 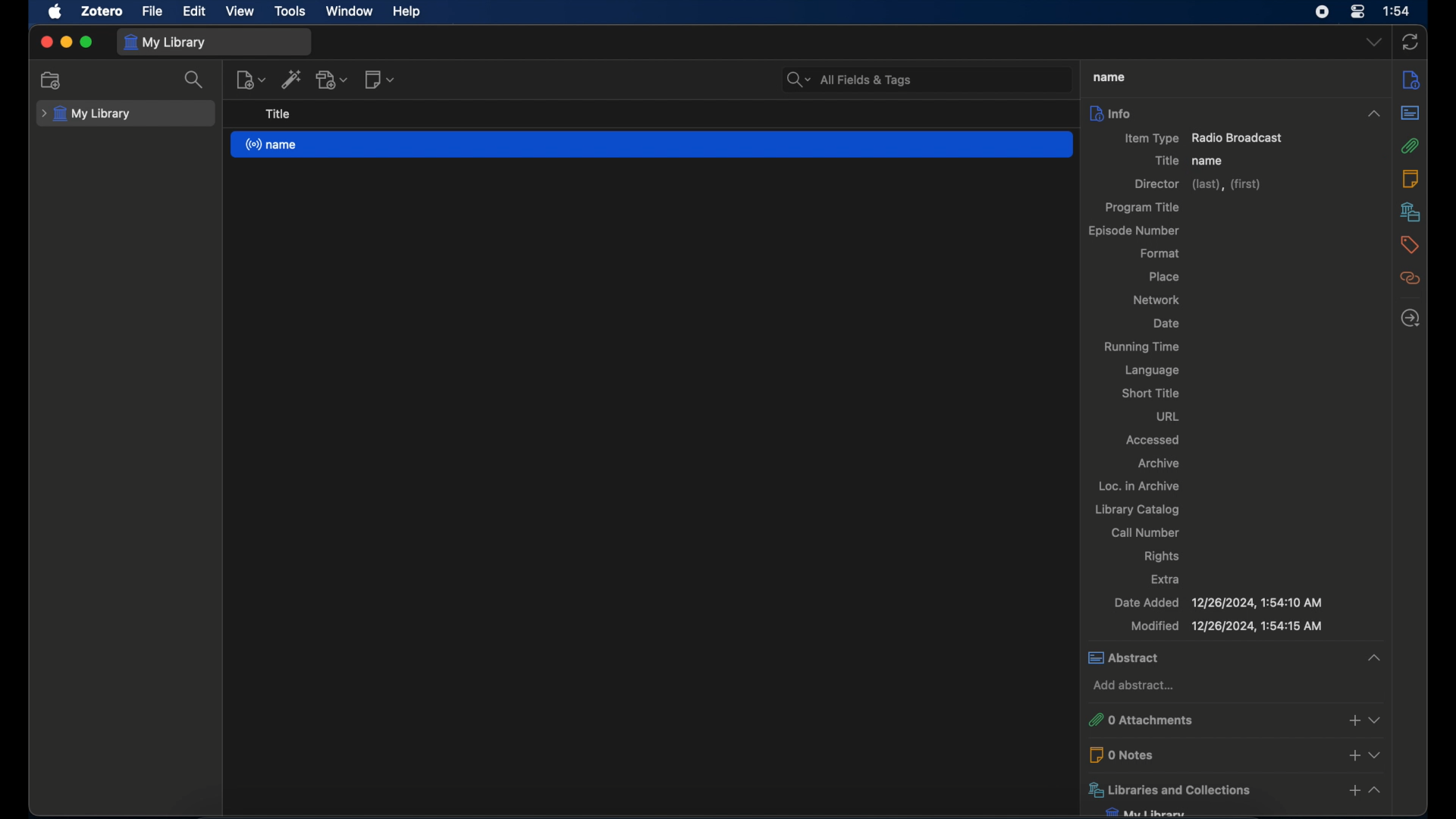 I want to click on related, so click(x=1410, y=278).